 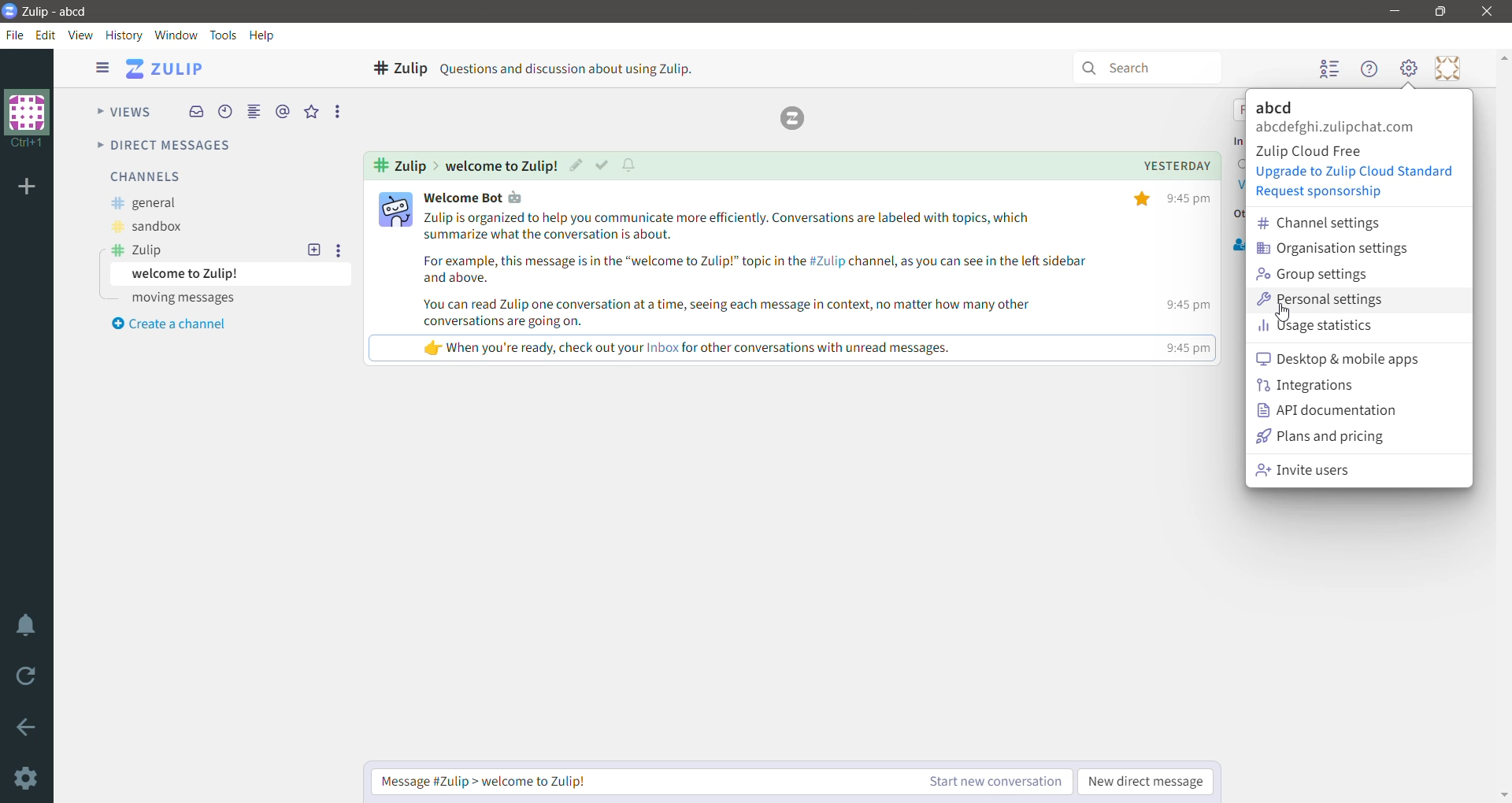 What do you see at coordinates (80, 35) in the screenshot?
I see `View` at bounding box center [80, 35].